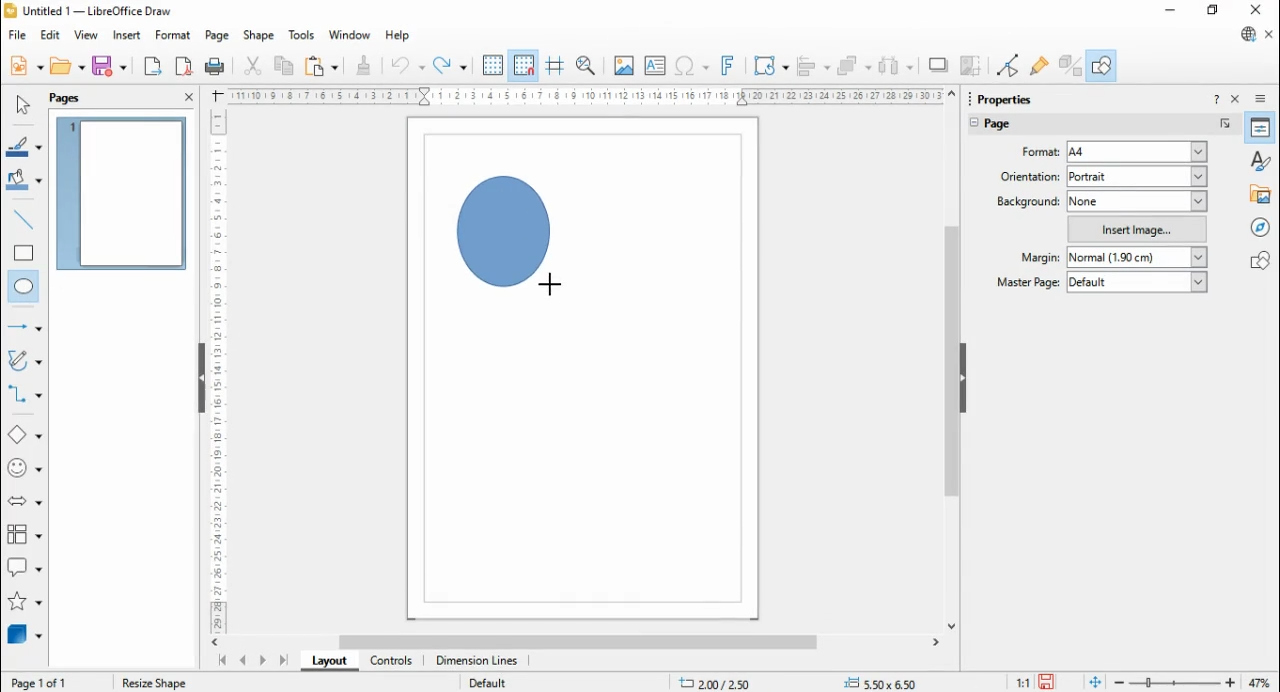 Image resolution: width=1280 pixels, height=692 pixels. Describe the element at coordinates (126, 36) in the screenshot. I see `insert` at that location.